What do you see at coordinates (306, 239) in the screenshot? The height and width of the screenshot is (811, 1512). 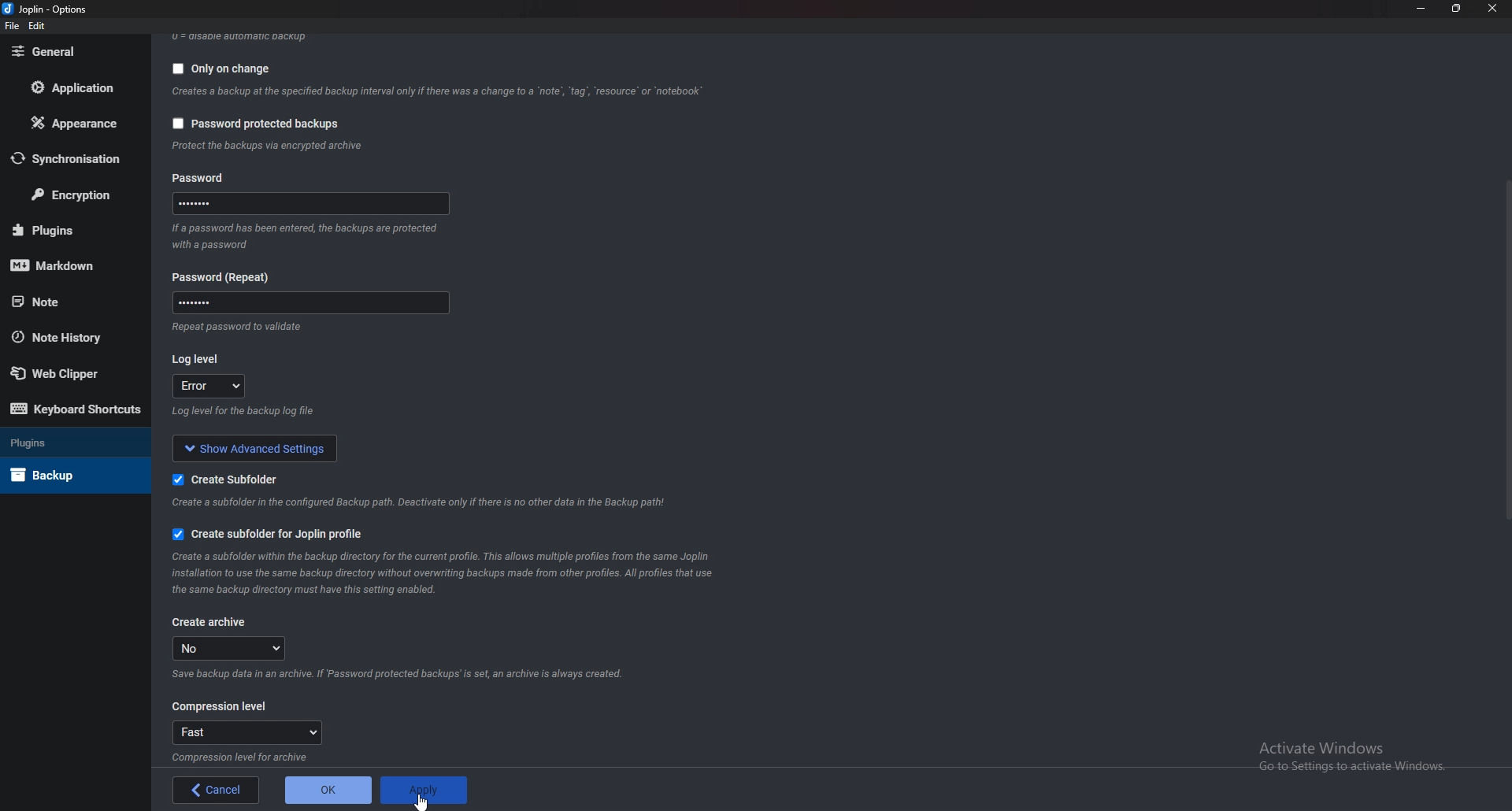 I see `Info on password` at bounding box center [306, 239].